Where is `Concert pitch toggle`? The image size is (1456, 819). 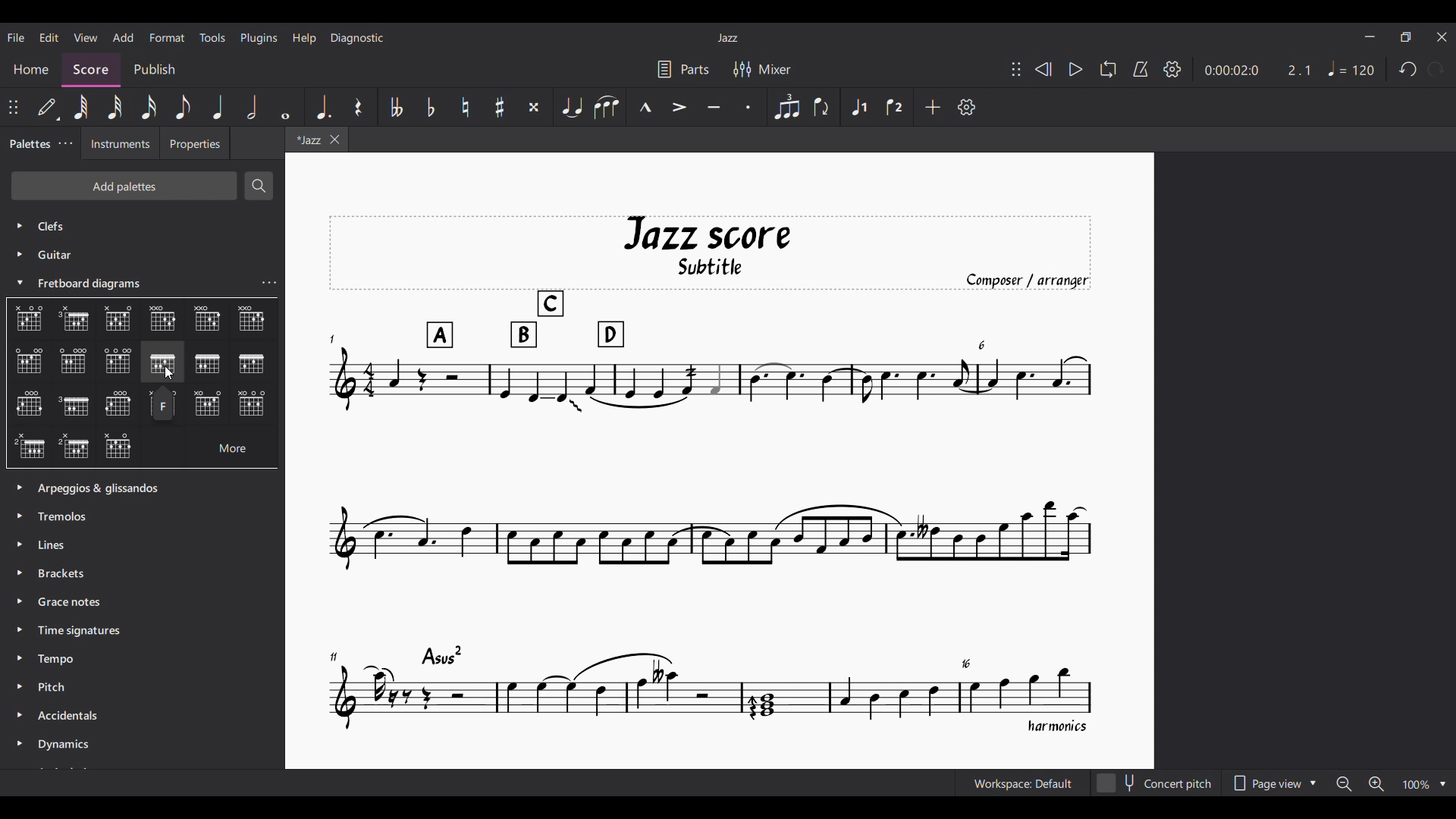
Concert pitch toggle is located at coordinates (1156, 783).